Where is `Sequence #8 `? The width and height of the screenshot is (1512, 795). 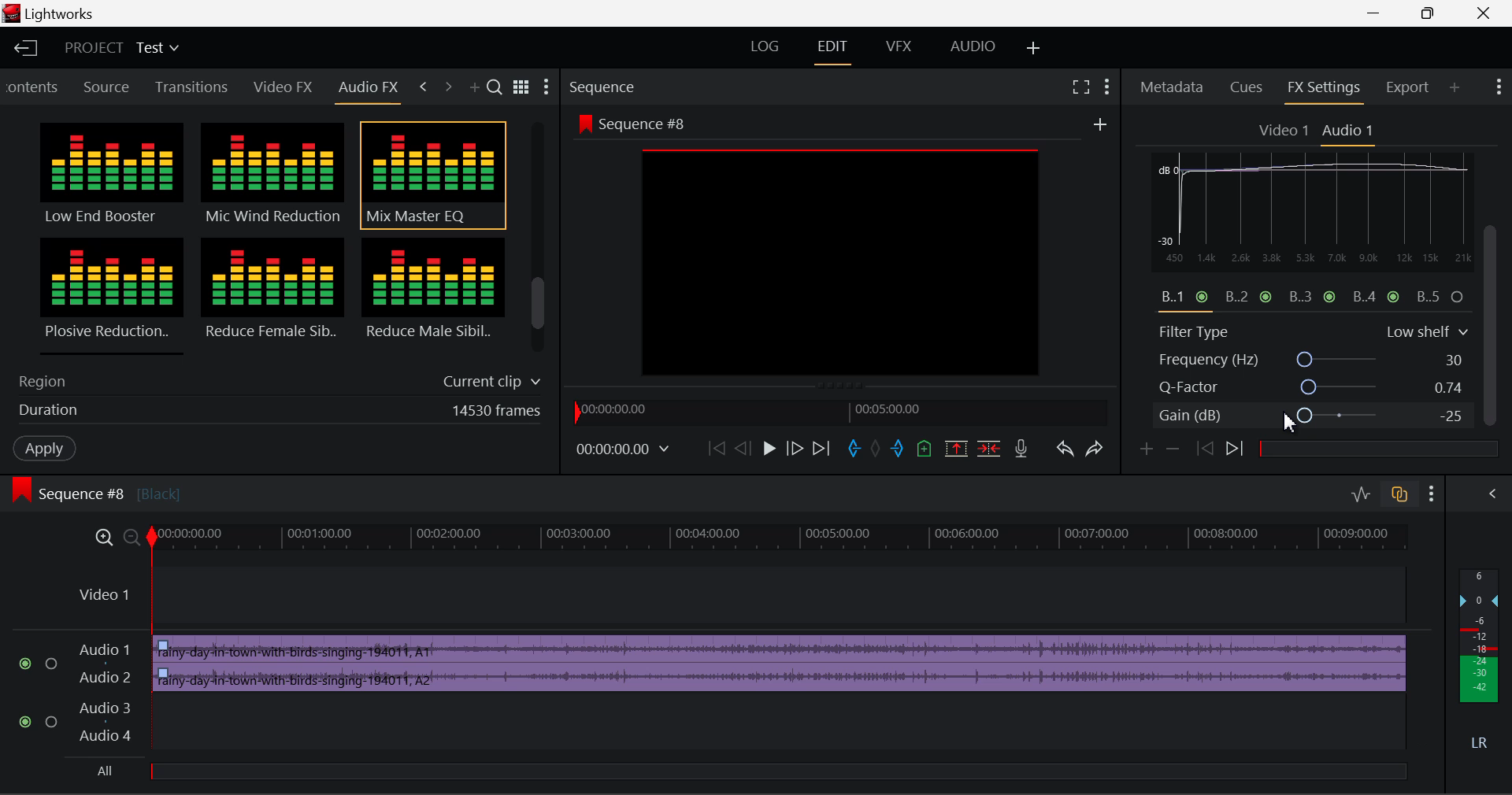
Sequence #8  is located at coordinates (630, 120).